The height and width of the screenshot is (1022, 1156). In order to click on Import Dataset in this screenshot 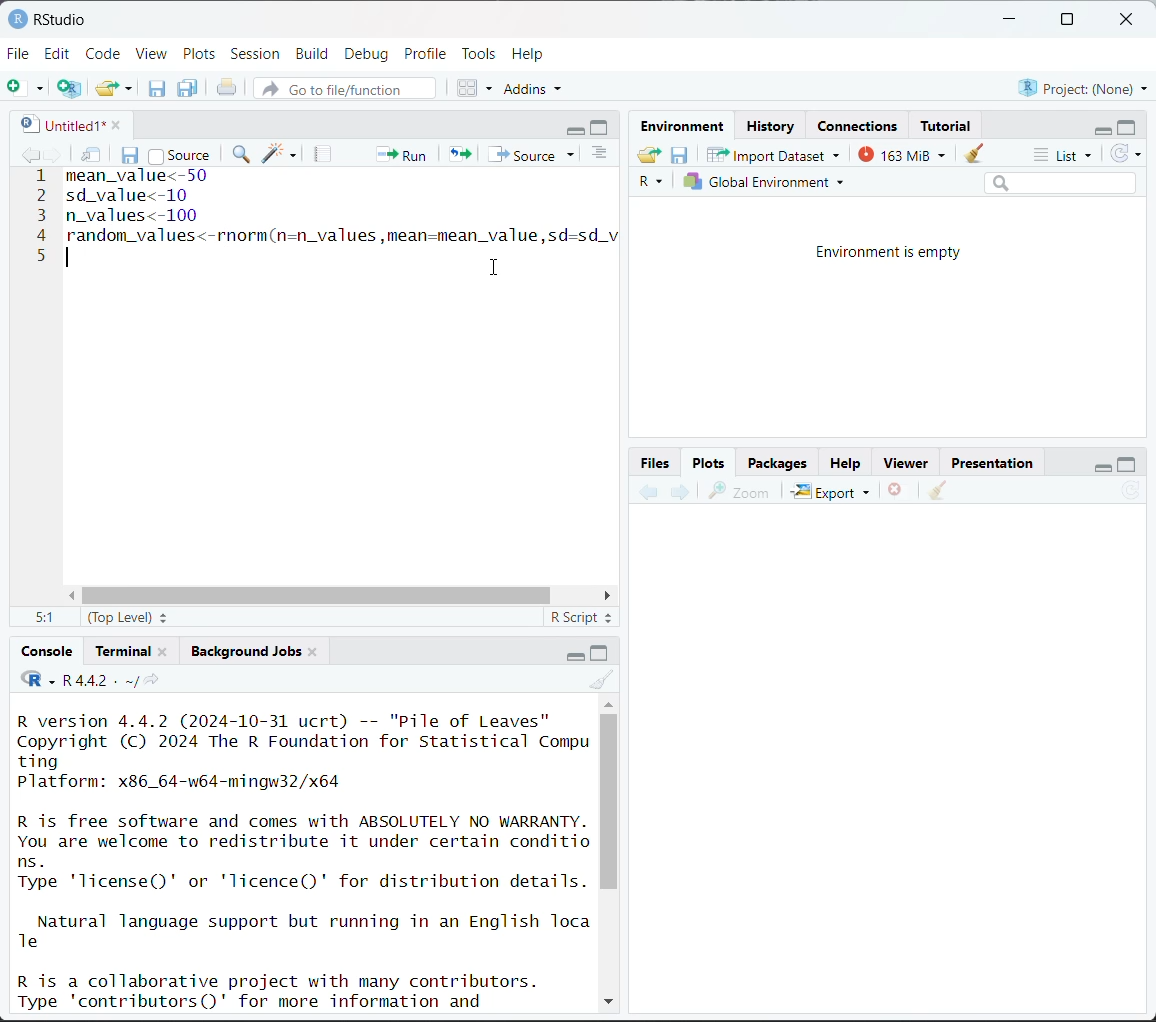, I will do `click(774, 154)`.